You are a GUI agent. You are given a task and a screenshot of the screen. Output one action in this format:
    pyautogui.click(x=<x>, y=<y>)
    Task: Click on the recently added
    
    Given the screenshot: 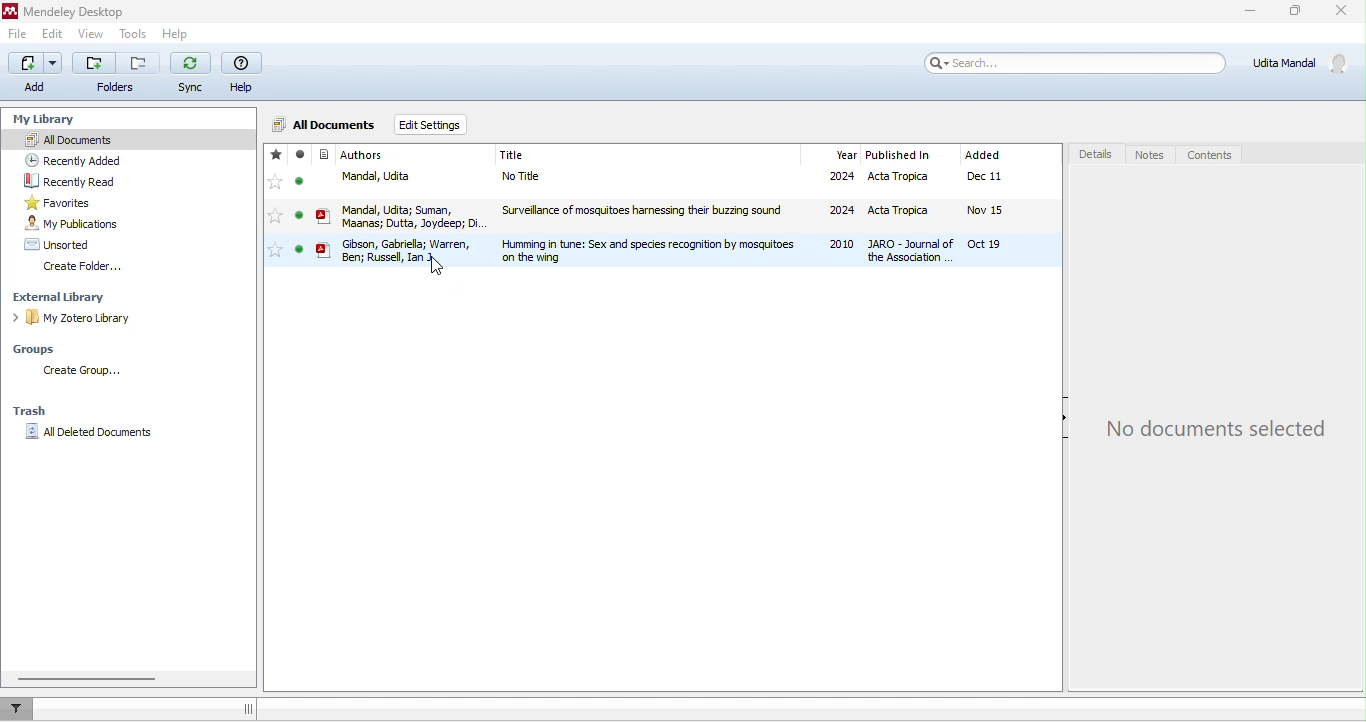 What is the action you would take?
    pyautogui.click(x=76, y=158)
    